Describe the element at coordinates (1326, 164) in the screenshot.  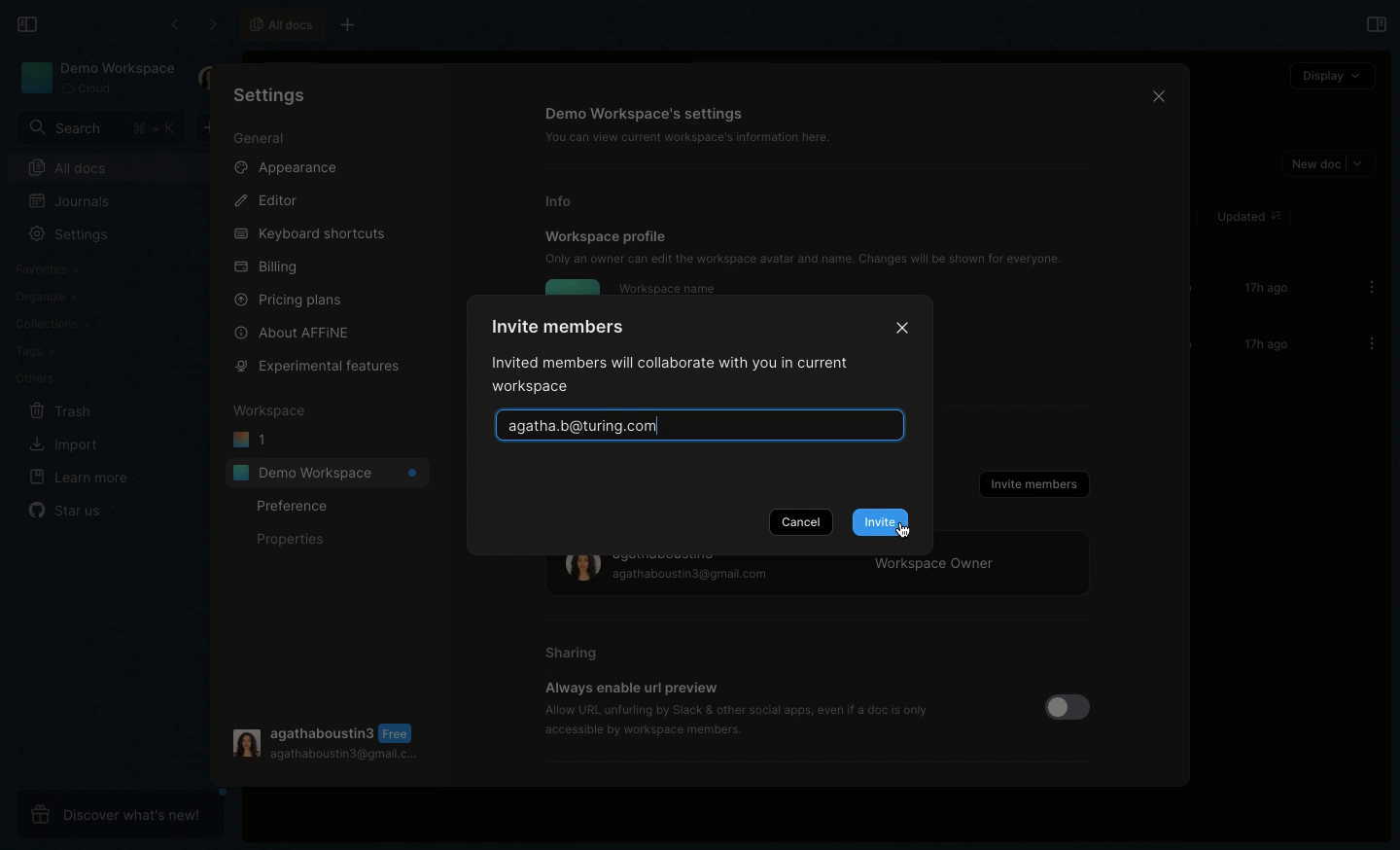
I see `New doc` at that location.